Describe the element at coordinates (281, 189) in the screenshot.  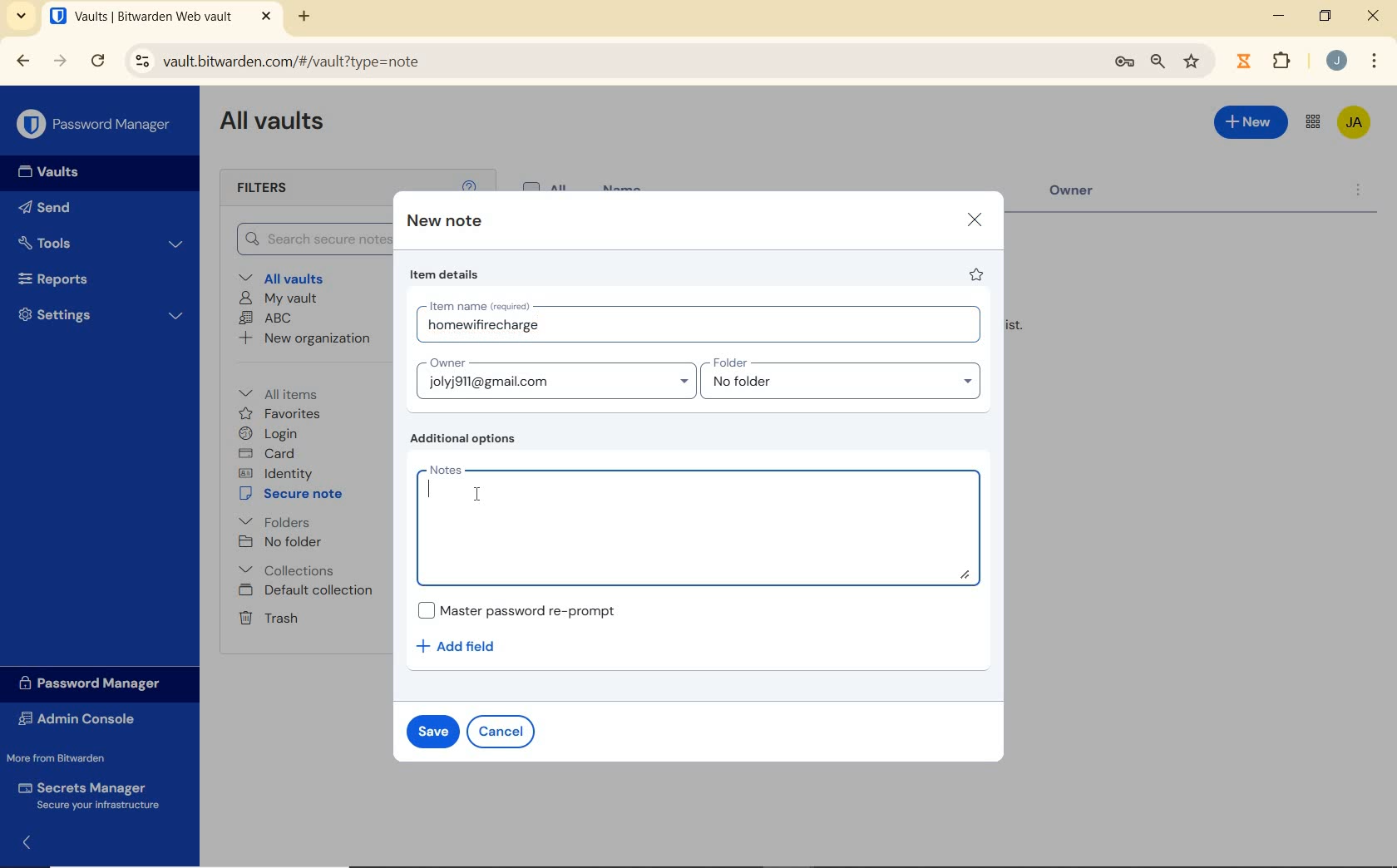
I see `Filters` at that location.